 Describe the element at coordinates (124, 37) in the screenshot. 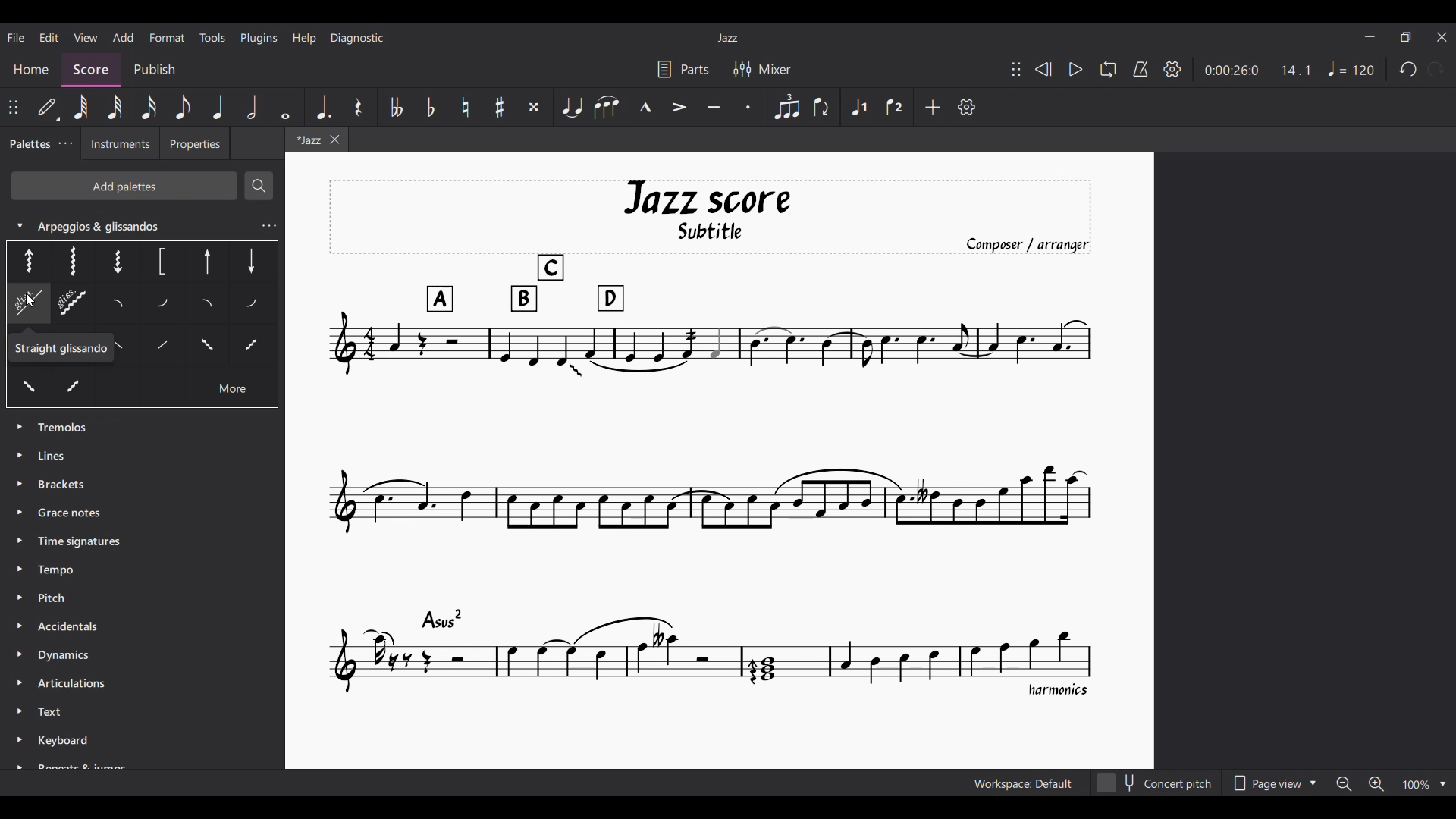

I see `Add menu` at that location.